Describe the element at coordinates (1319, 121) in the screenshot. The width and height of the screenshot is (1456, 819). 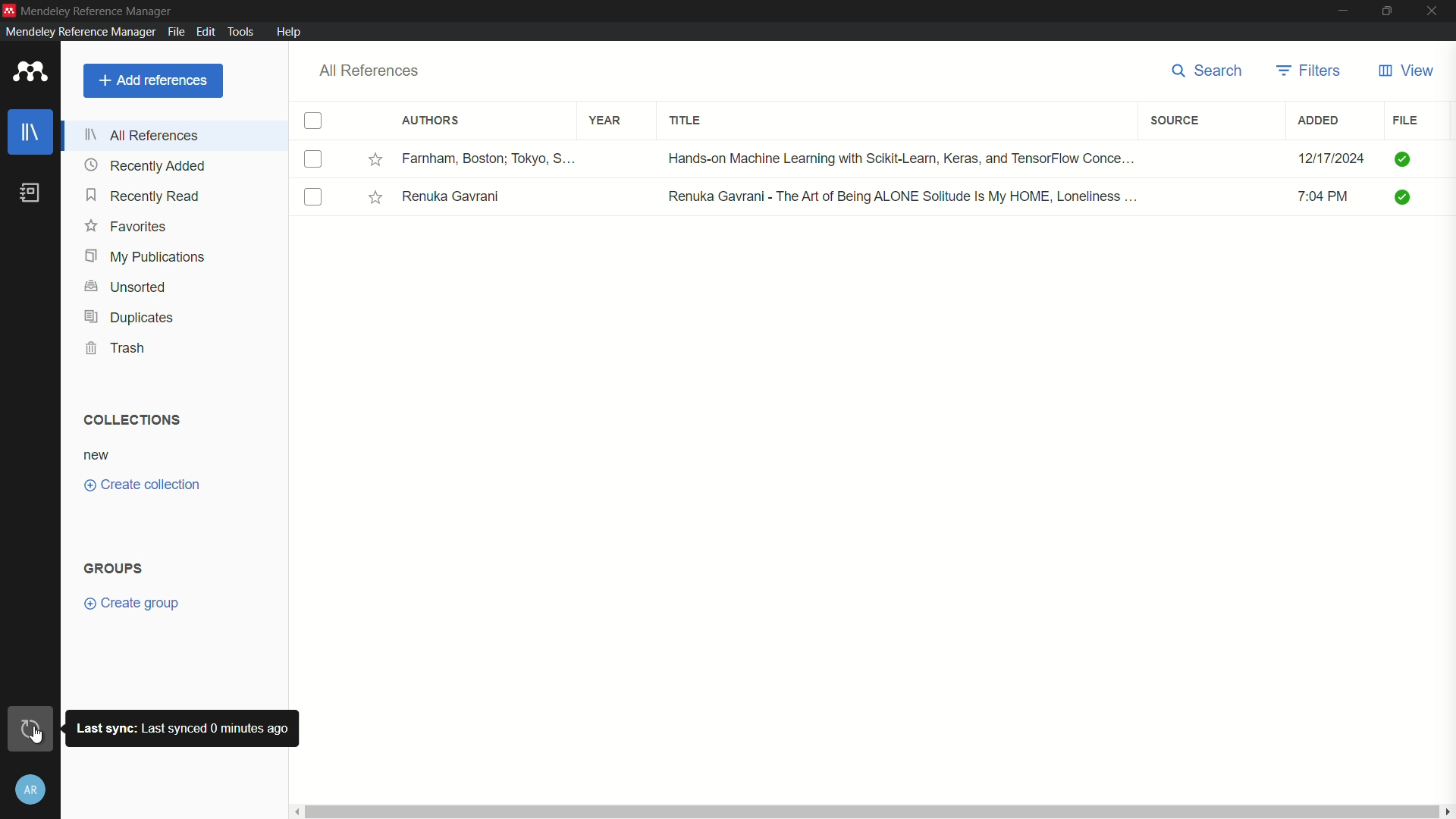
I see `added` at that location.